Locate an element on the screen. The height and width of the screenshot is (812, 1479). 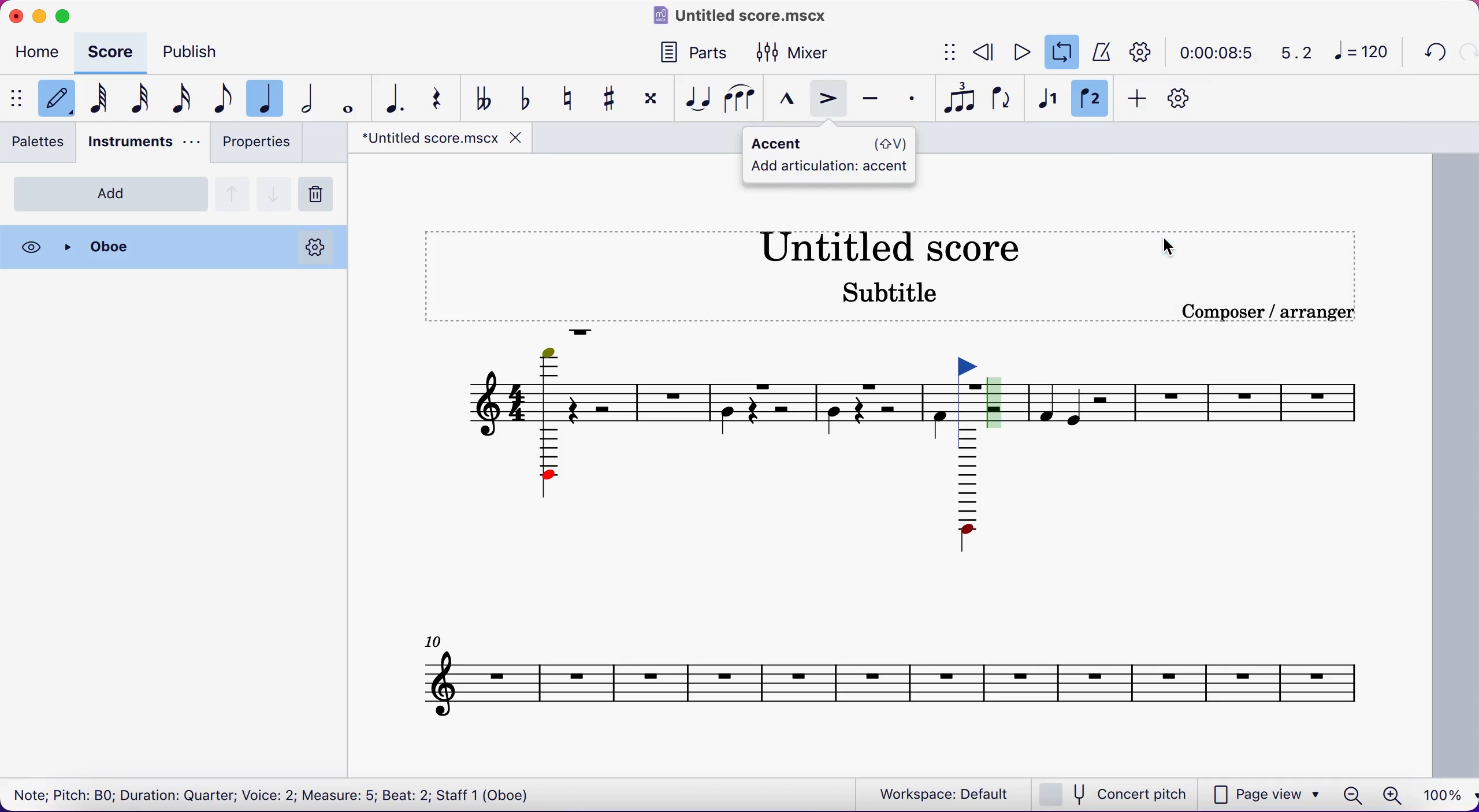
page view is located at coordinates (1266, 794).